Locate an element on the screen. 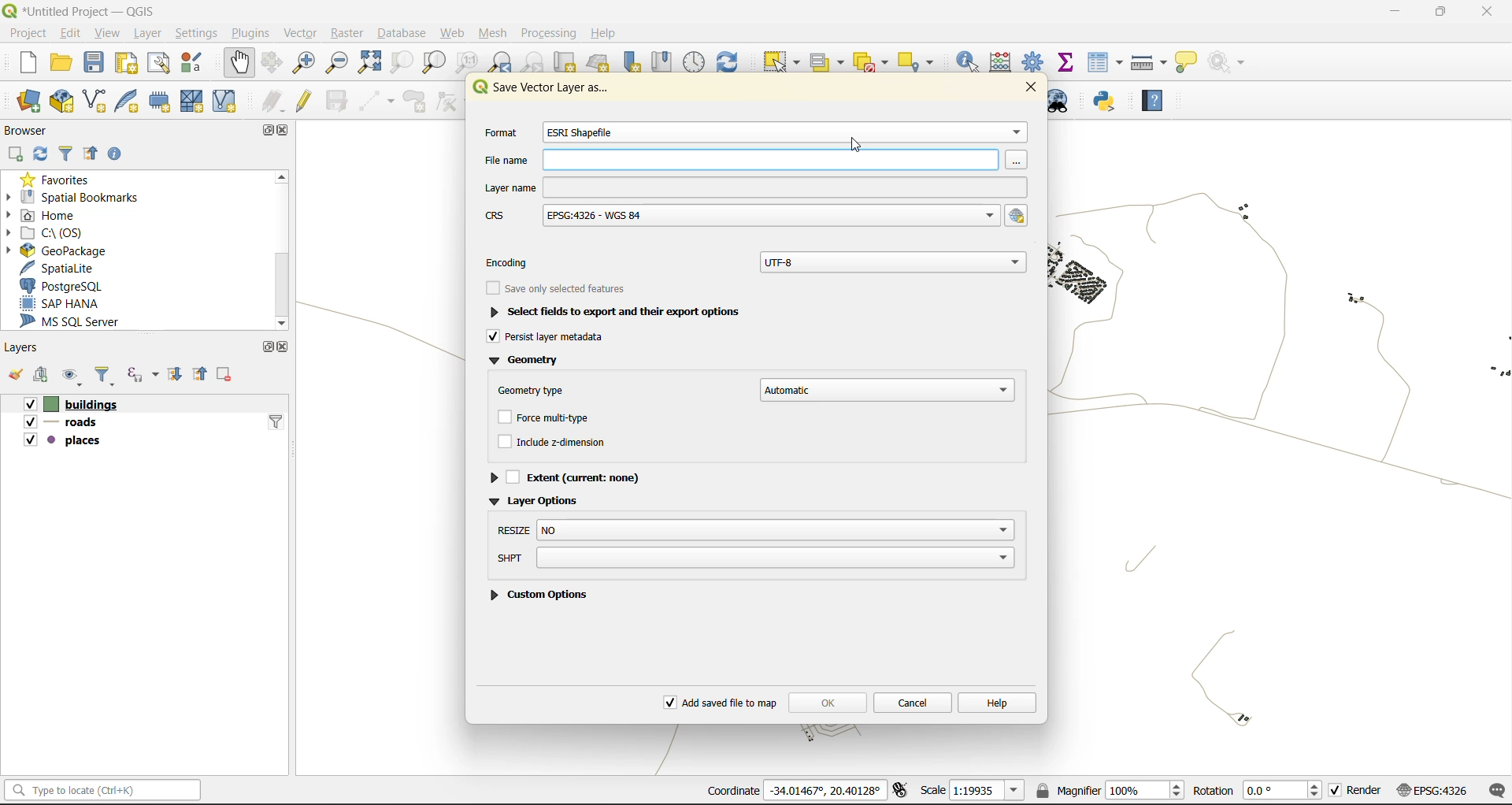 This screenshot has width=1512, height=805. pan map is located at coordinates (239, 65).